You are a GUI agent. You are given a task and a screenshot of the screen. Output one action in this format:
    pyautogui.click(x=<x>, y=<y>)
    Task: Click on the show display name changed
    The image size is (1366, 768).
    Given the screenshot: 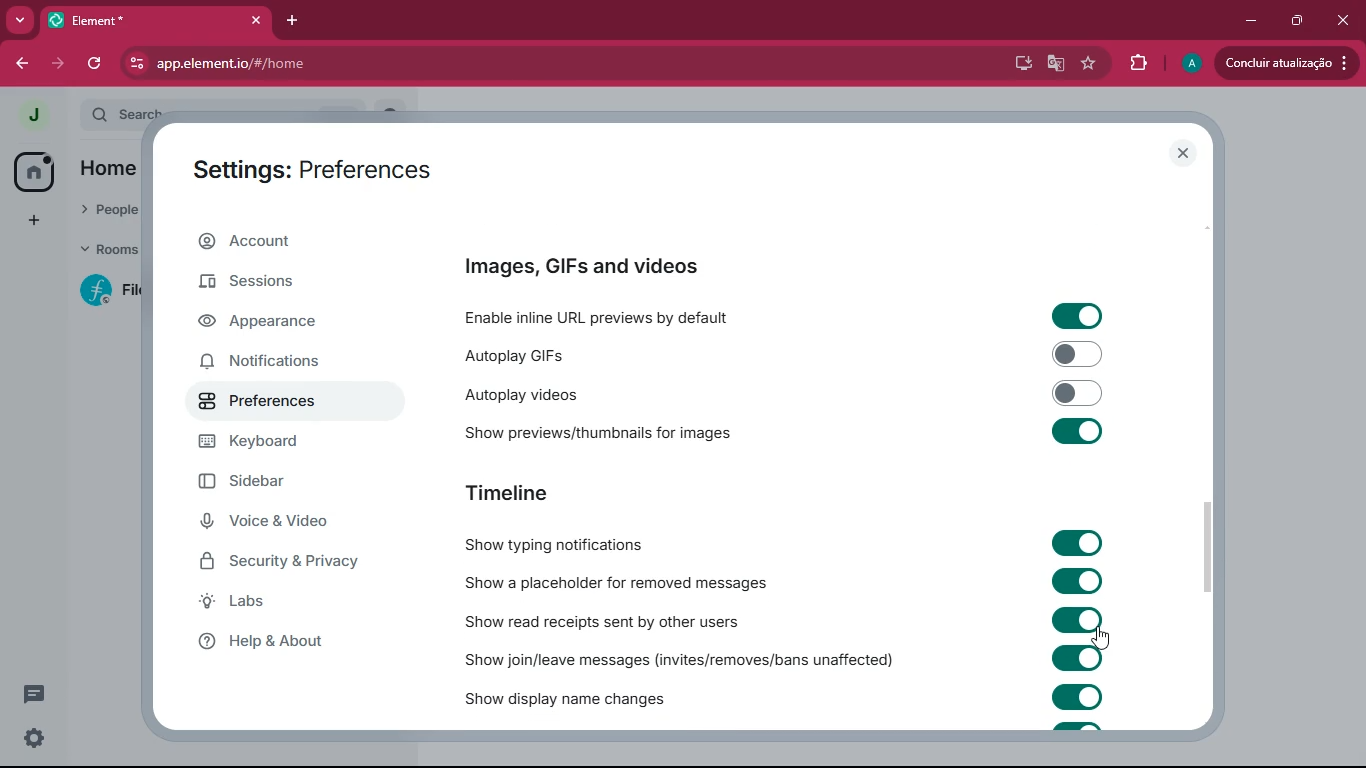 What is the action you would take?
    pyautogui.click(x=575, y=697)
    